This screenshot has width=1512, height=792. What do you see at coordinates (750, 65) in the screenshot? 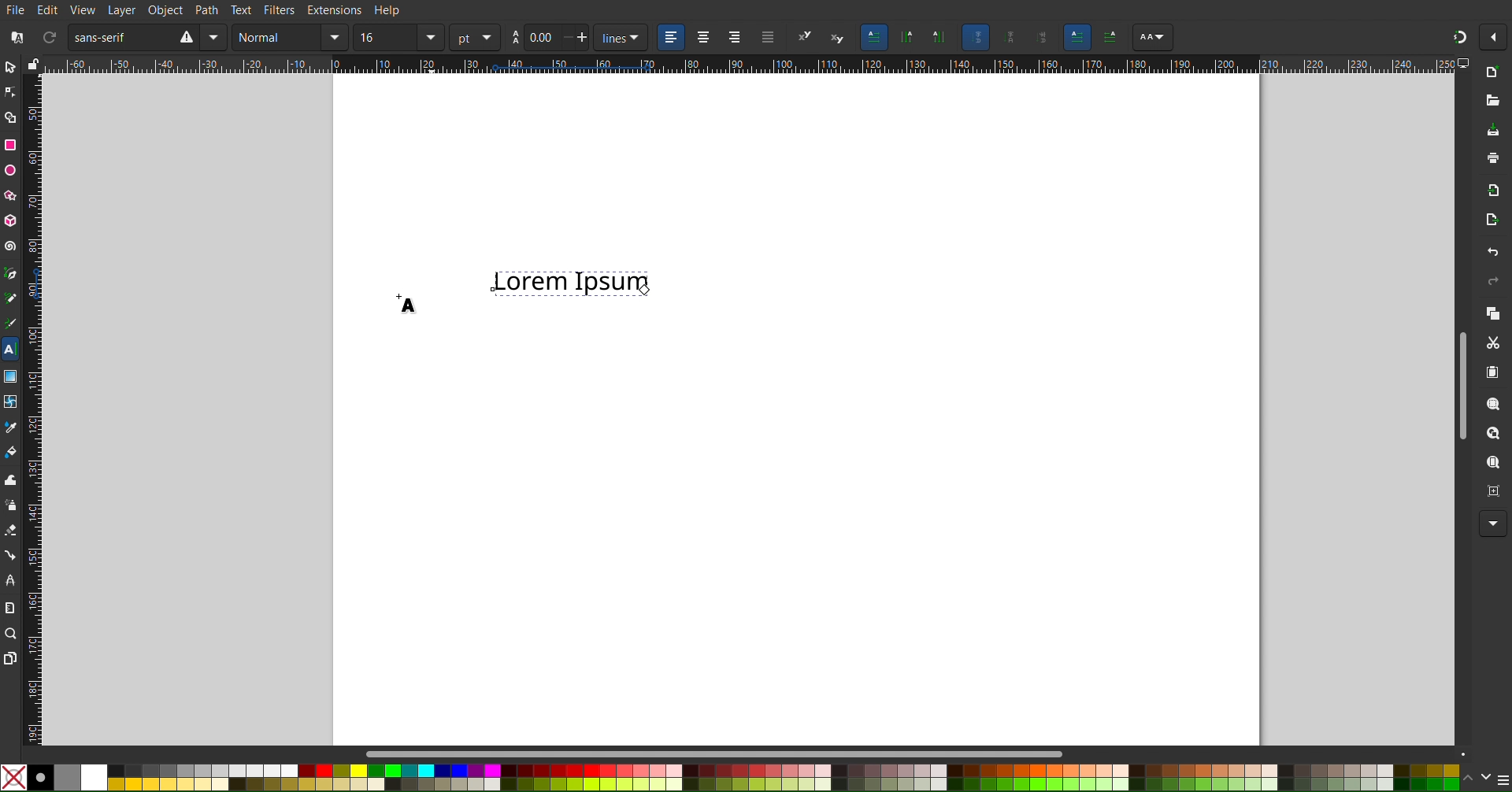
I see `Horizontal Ruler` at bounding box center [750, 65].